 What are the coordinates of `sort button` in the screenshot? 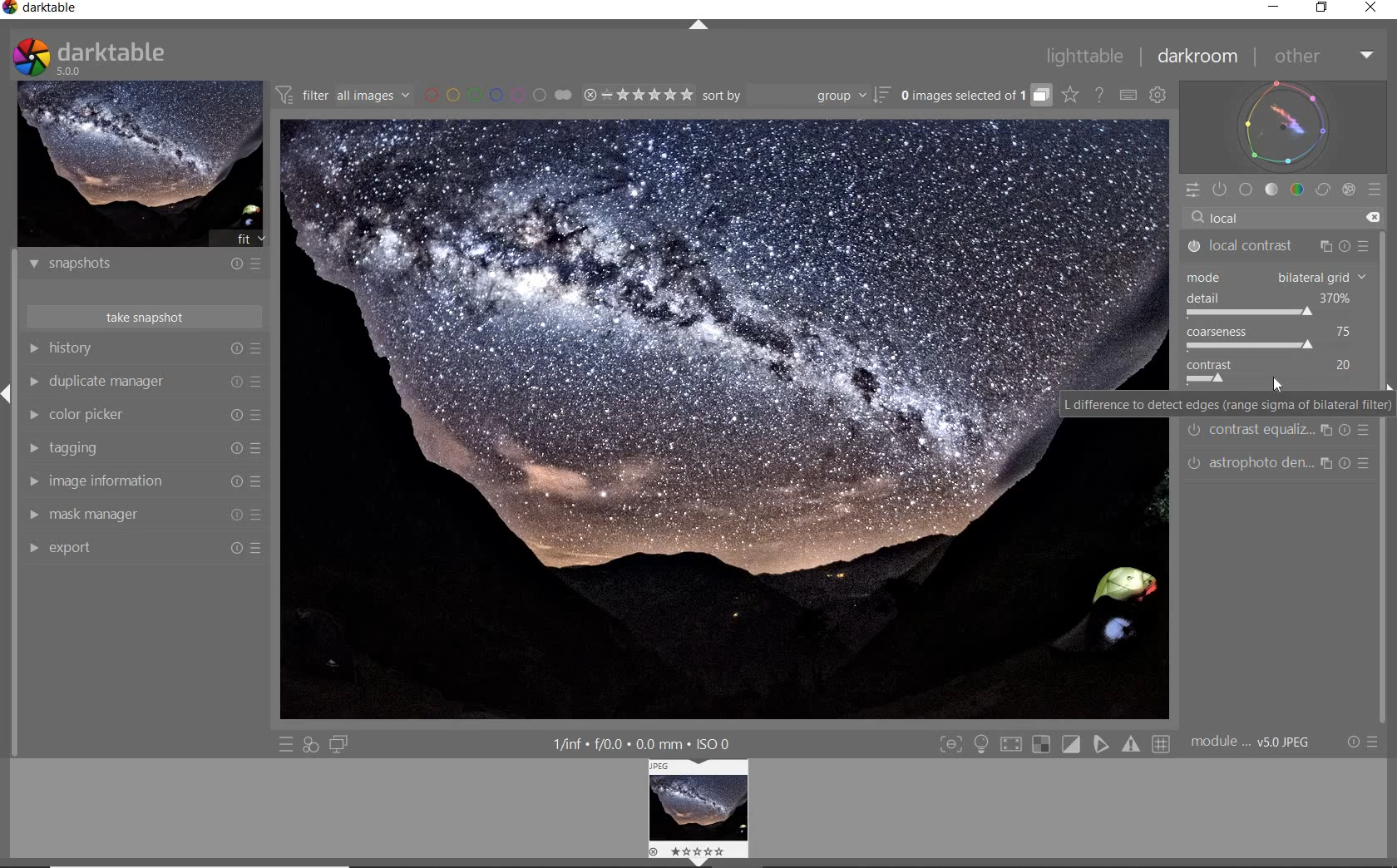 It's located at (882, 98).